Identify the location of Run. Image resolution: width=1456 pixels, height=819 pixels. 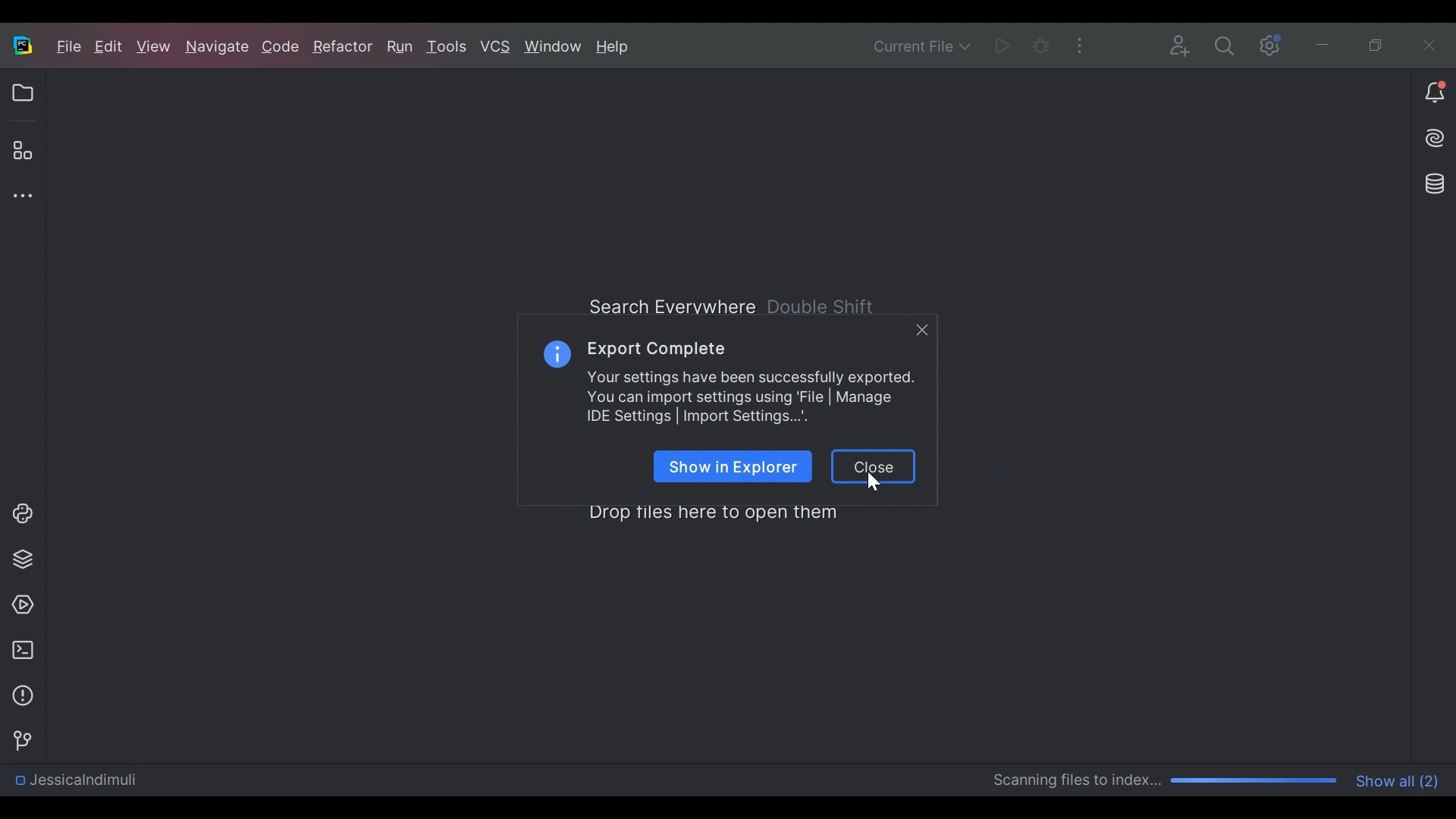
(402, 47).